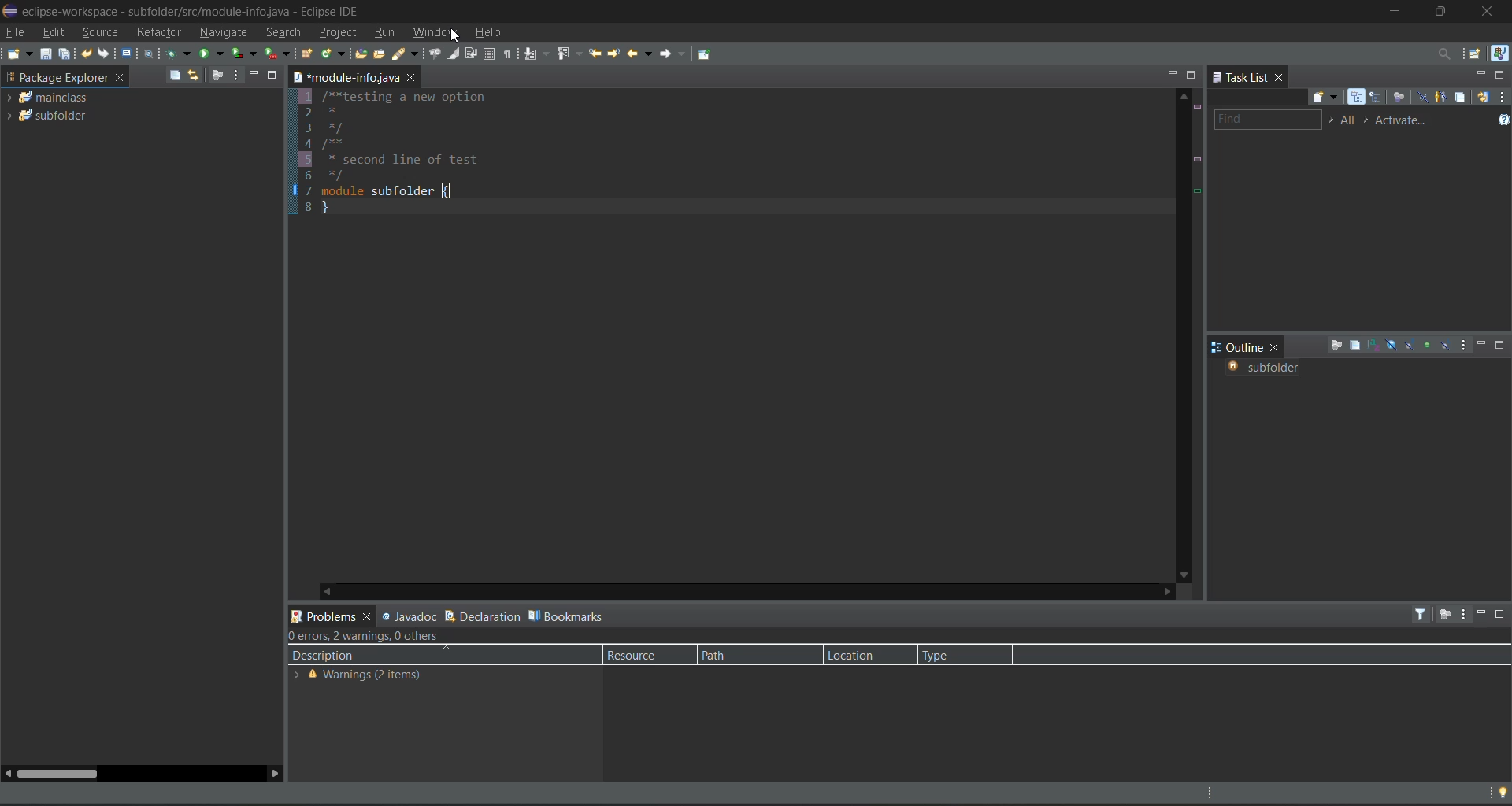 Image resolution: width=1512 pixels, height=806 pixels. What do you see at coordinates (1401, 98) in the screenshot?
I see `focus on work week` at bounding box center [1401, 98].